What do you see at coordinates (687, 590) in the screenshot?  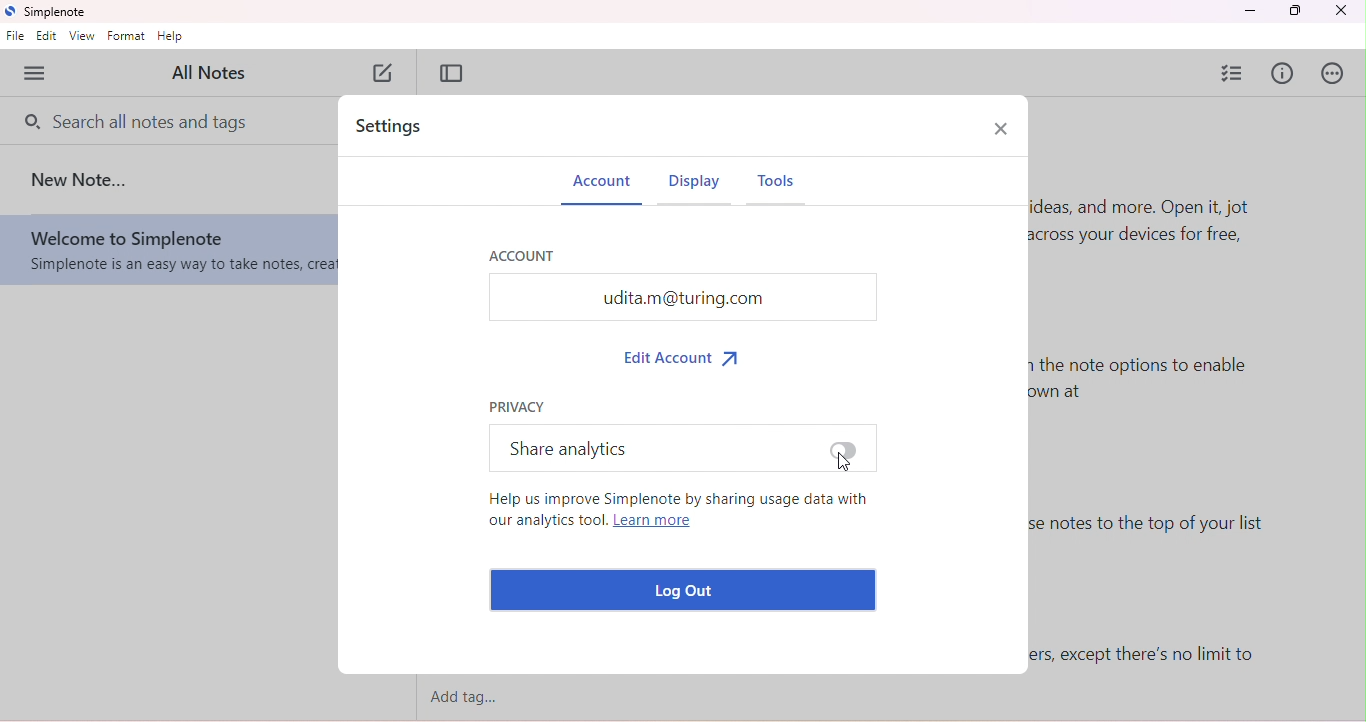 I see `log out` at bounding box center [687, 590].